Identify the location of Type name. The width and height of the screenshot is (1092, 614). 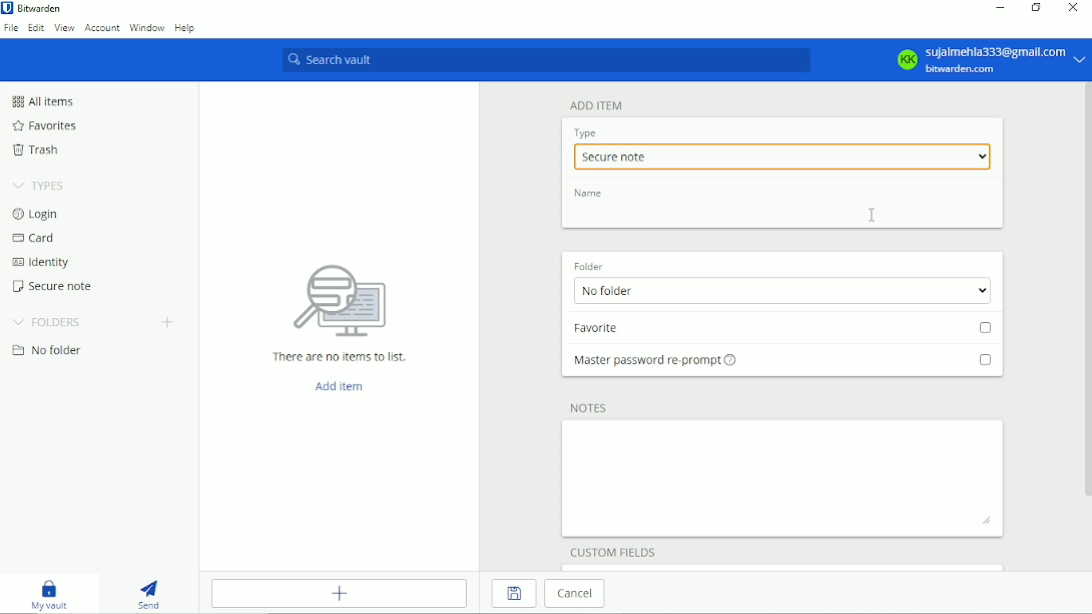
(783, 215).